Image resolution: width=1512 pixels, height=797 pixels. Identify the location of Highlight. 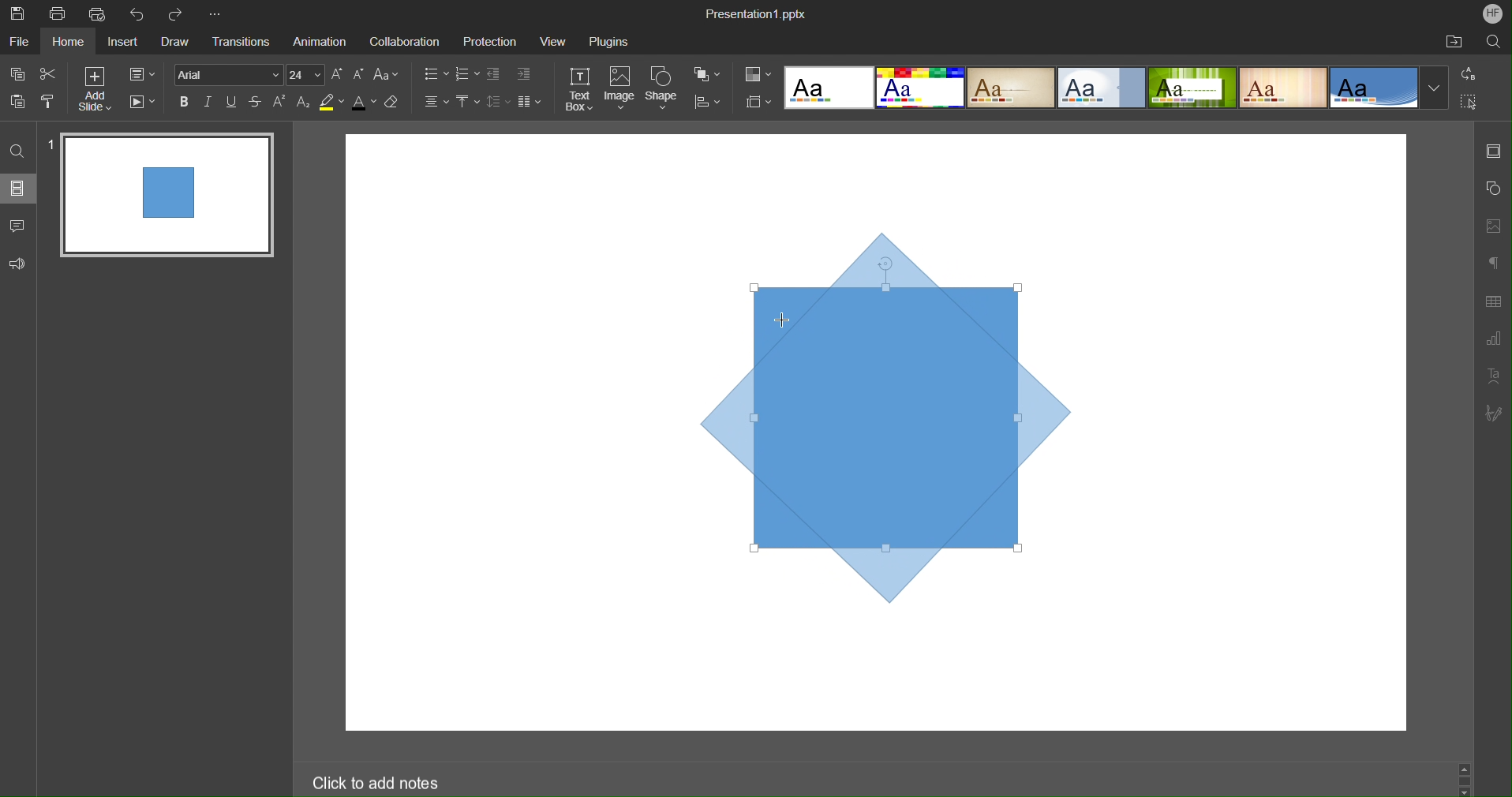
(332, 102).